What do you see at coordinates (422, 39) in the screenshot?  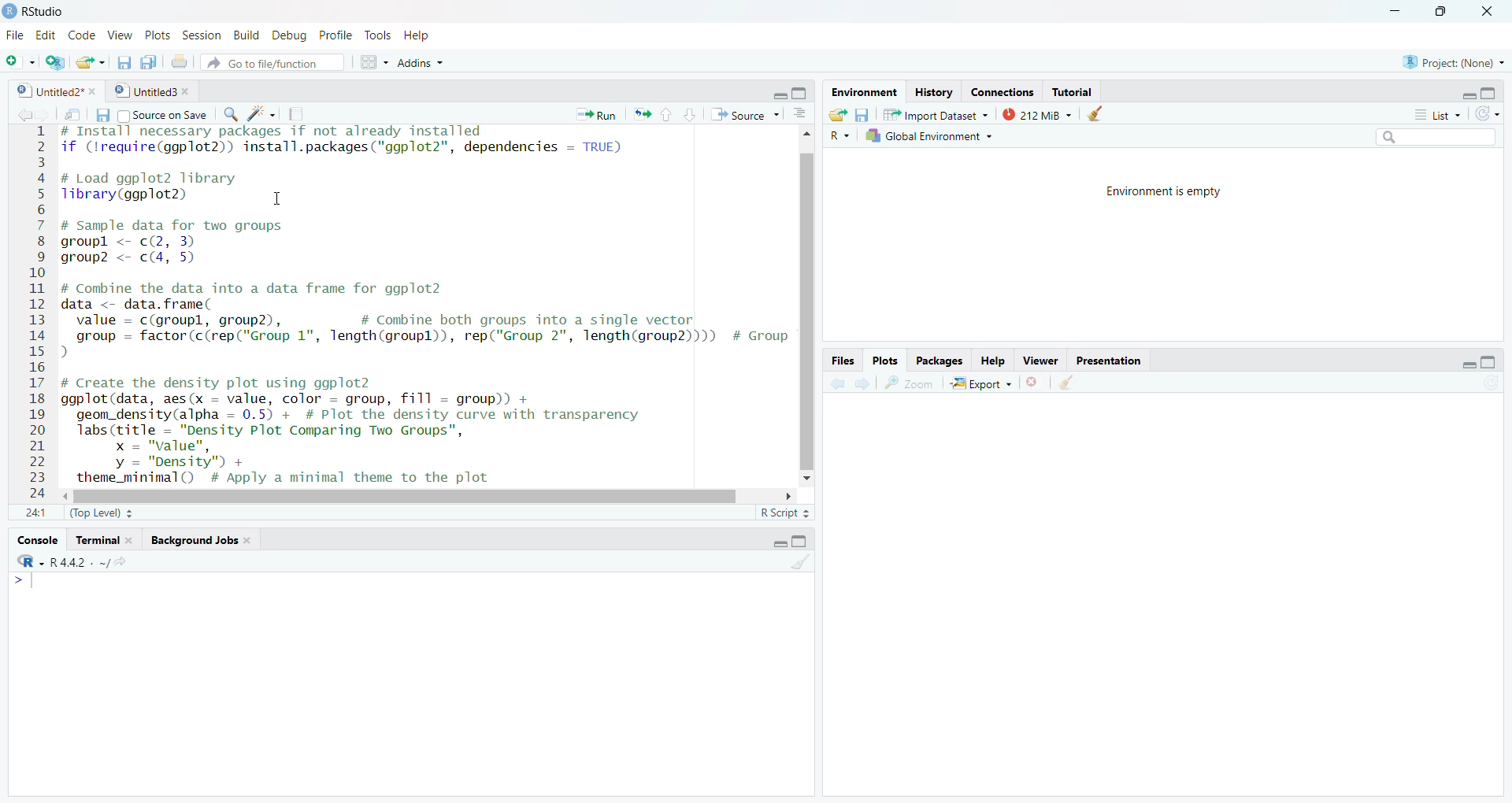 I see `help` at bounding box center [422, 39].